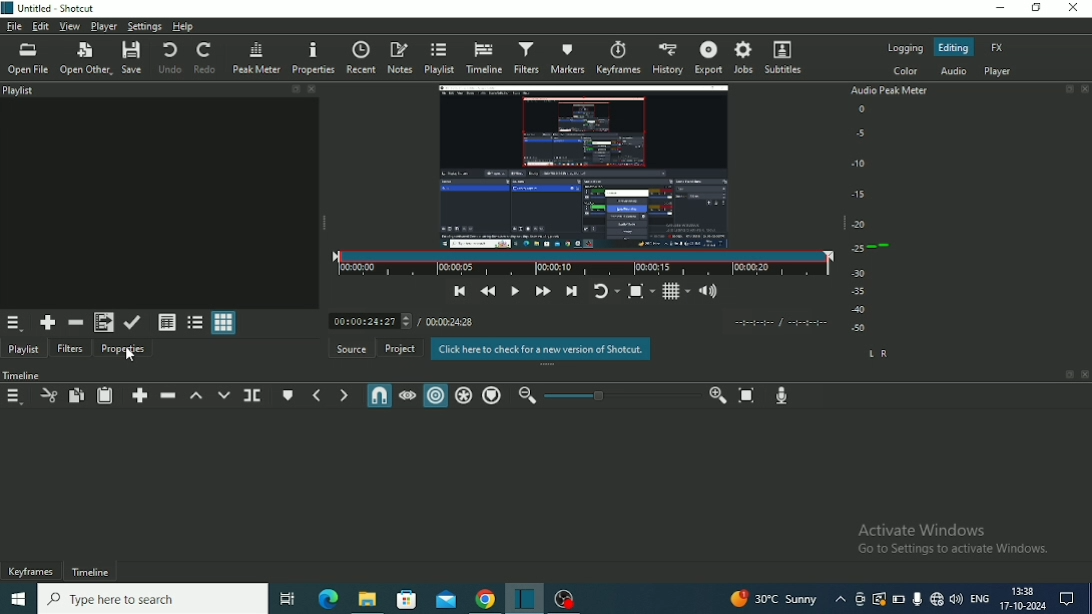 Image resolution: width=1092 pixels, height=614 pixels. Describe the element at coordinates (1072, 7) in the screenshot. I see `Close` at that location.